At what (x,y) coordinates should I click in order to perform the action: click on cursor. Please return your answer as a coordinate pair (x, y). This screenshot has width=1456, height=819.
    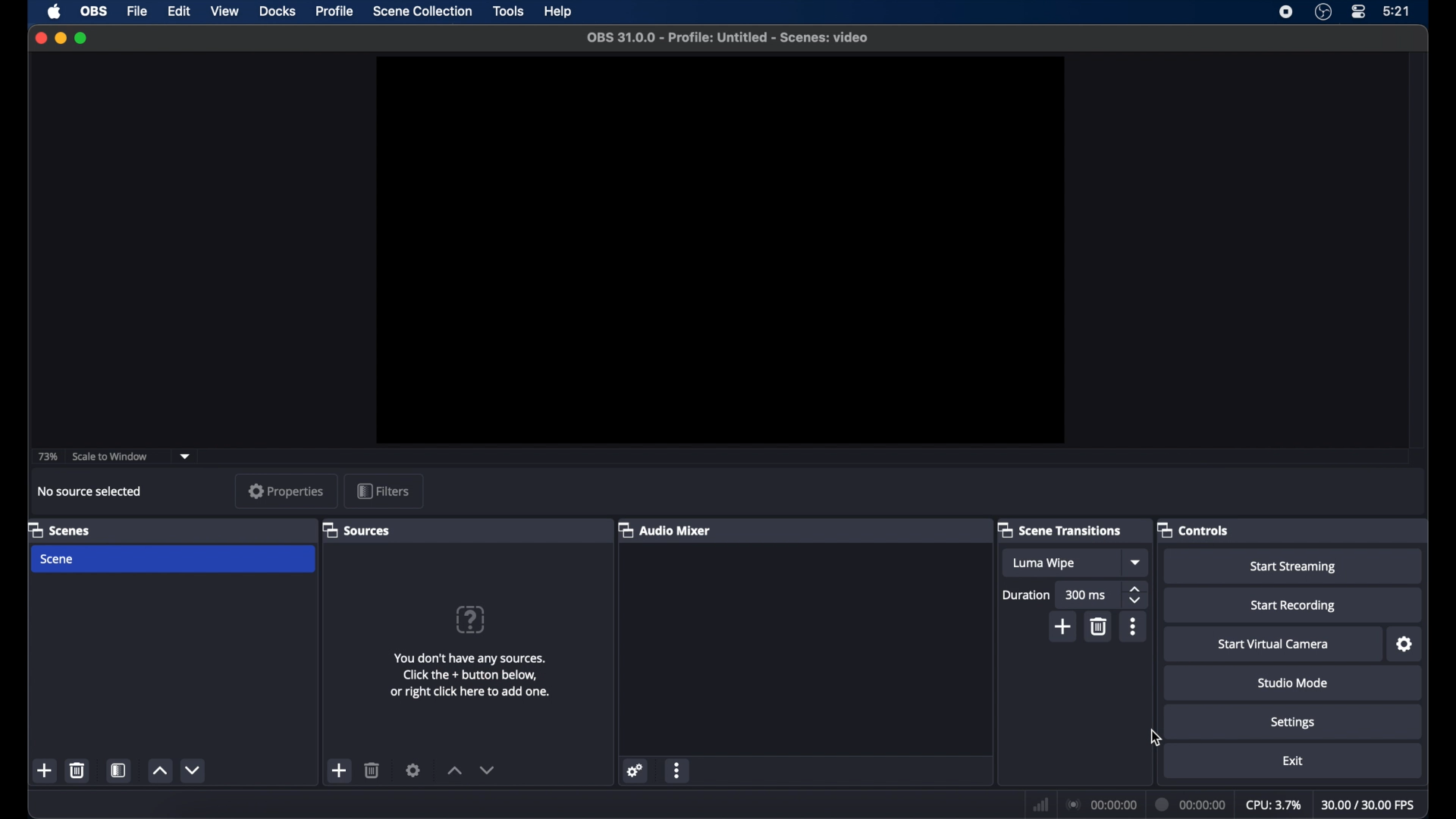
    Looking at the image, I should click on (1156, 739).